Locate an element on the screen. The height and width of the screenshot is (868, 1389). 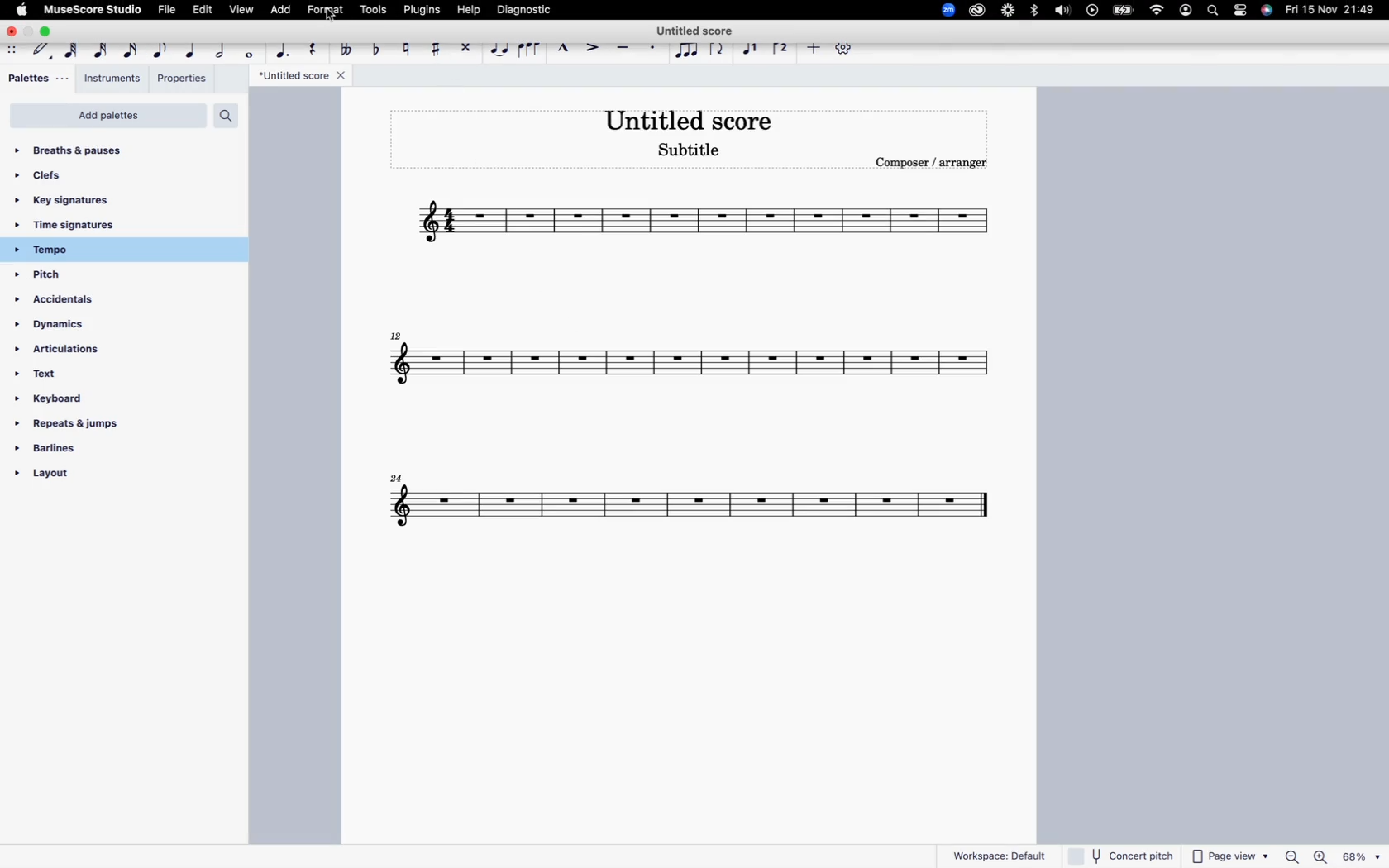
breaths & pauses is located at coordinates (83, 147).